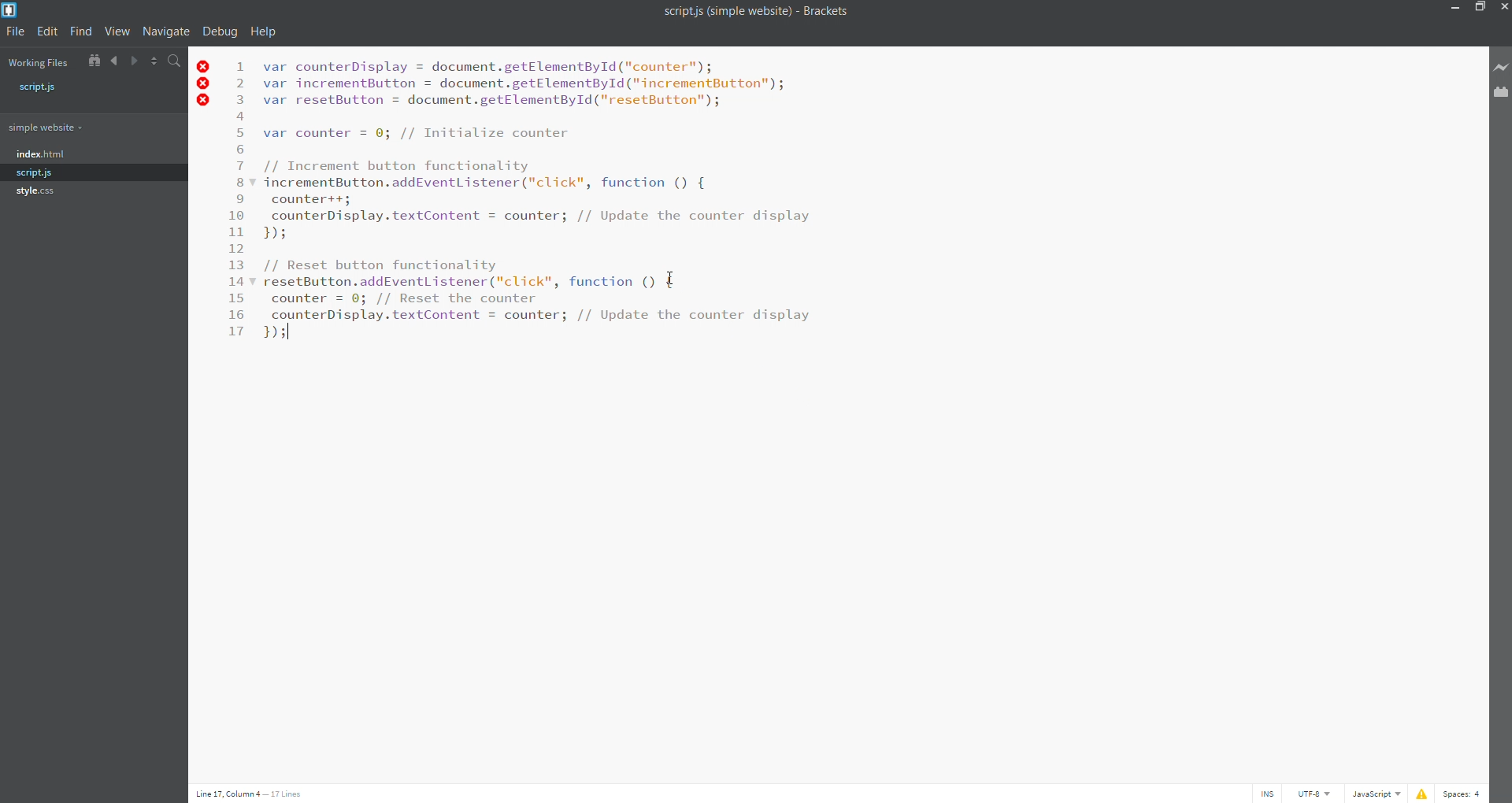 This screenshot has width=1512, height=803. What do you see at coordinates (265, 31) in the screenshot?
I see `help` at bounding box center [265, 31].